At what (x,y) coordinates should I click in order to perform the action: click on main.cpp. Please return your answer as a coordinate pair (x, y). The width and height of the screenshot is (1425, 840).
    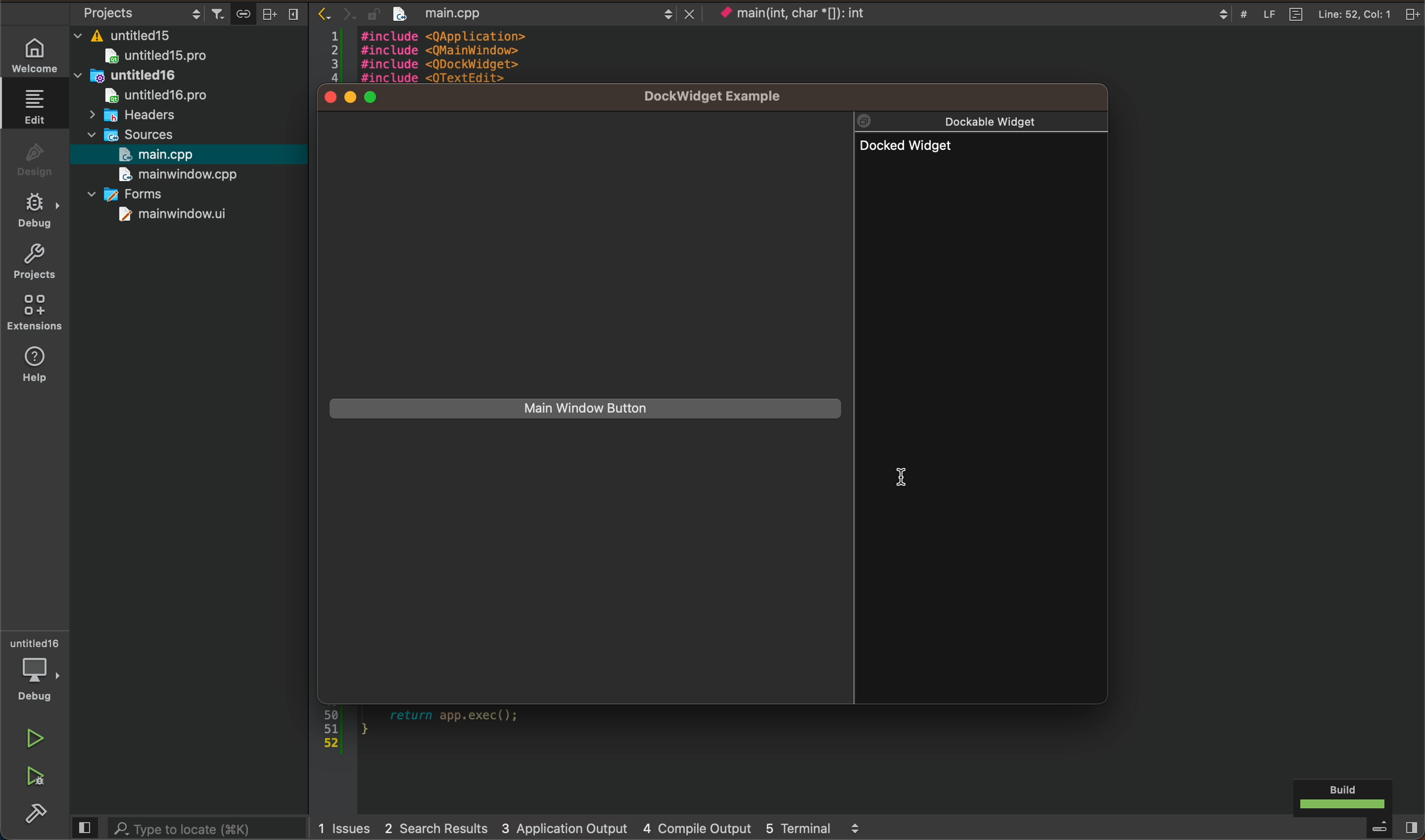
    Looking at the image, I should click on (164, 153).